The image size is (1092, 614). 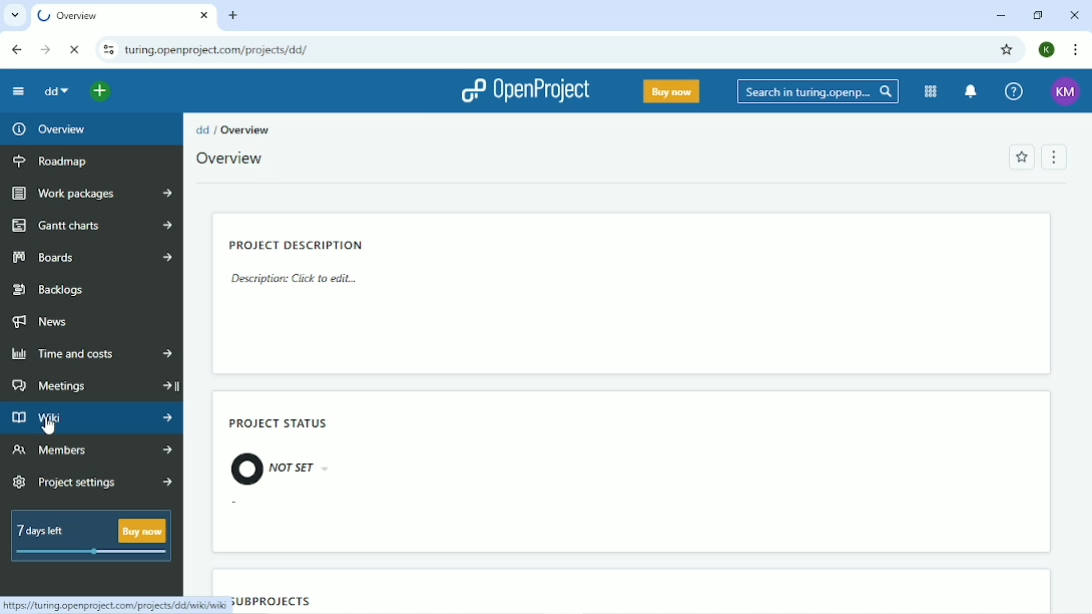 What do you see at coordinates (55, 92) in the screenshot?
I see `dd` at bounding box center [55, 92].